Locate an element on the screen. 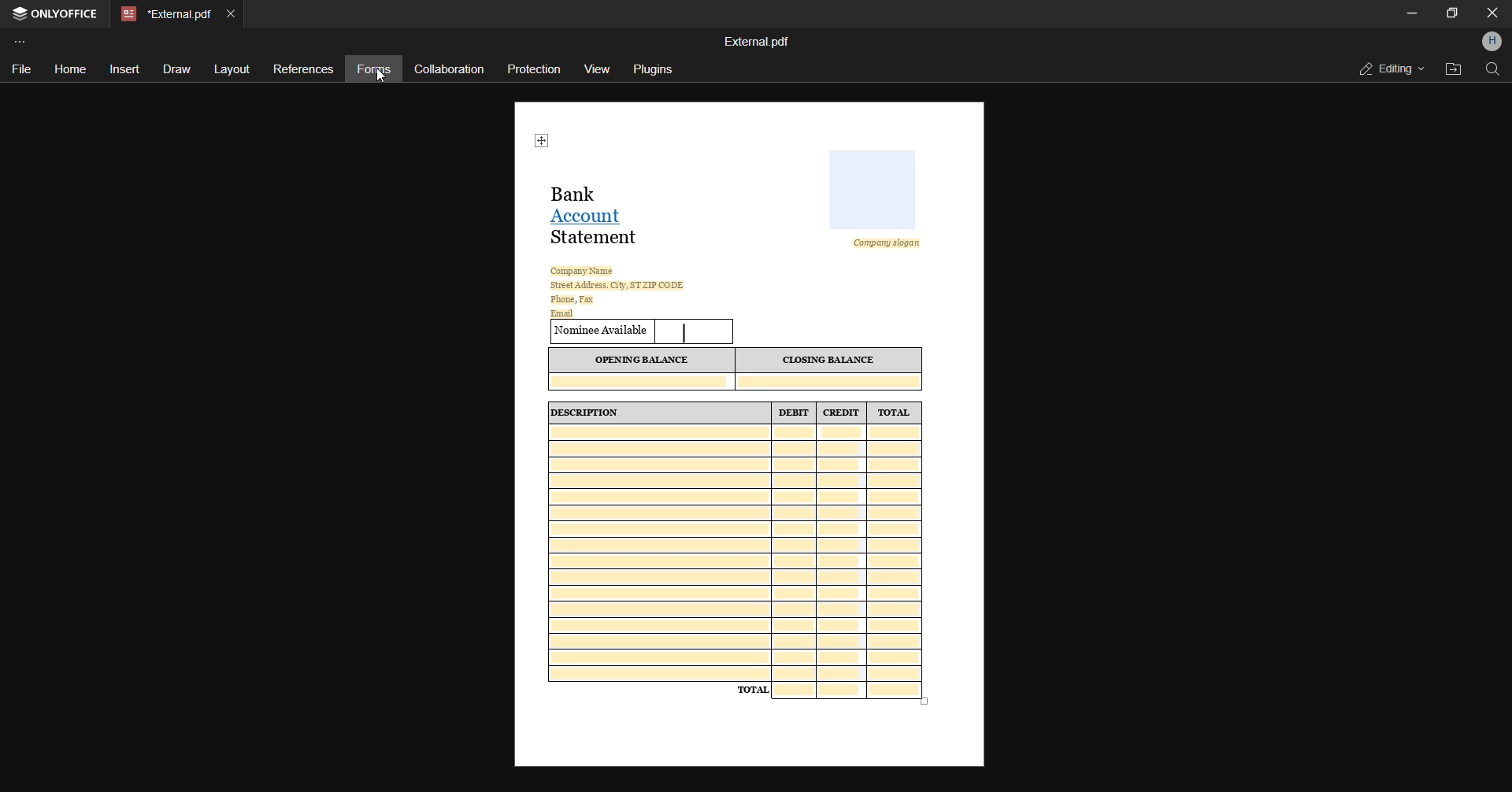 This screenshot has height=792, width=1512. file name is located at coordinates (755, 39).